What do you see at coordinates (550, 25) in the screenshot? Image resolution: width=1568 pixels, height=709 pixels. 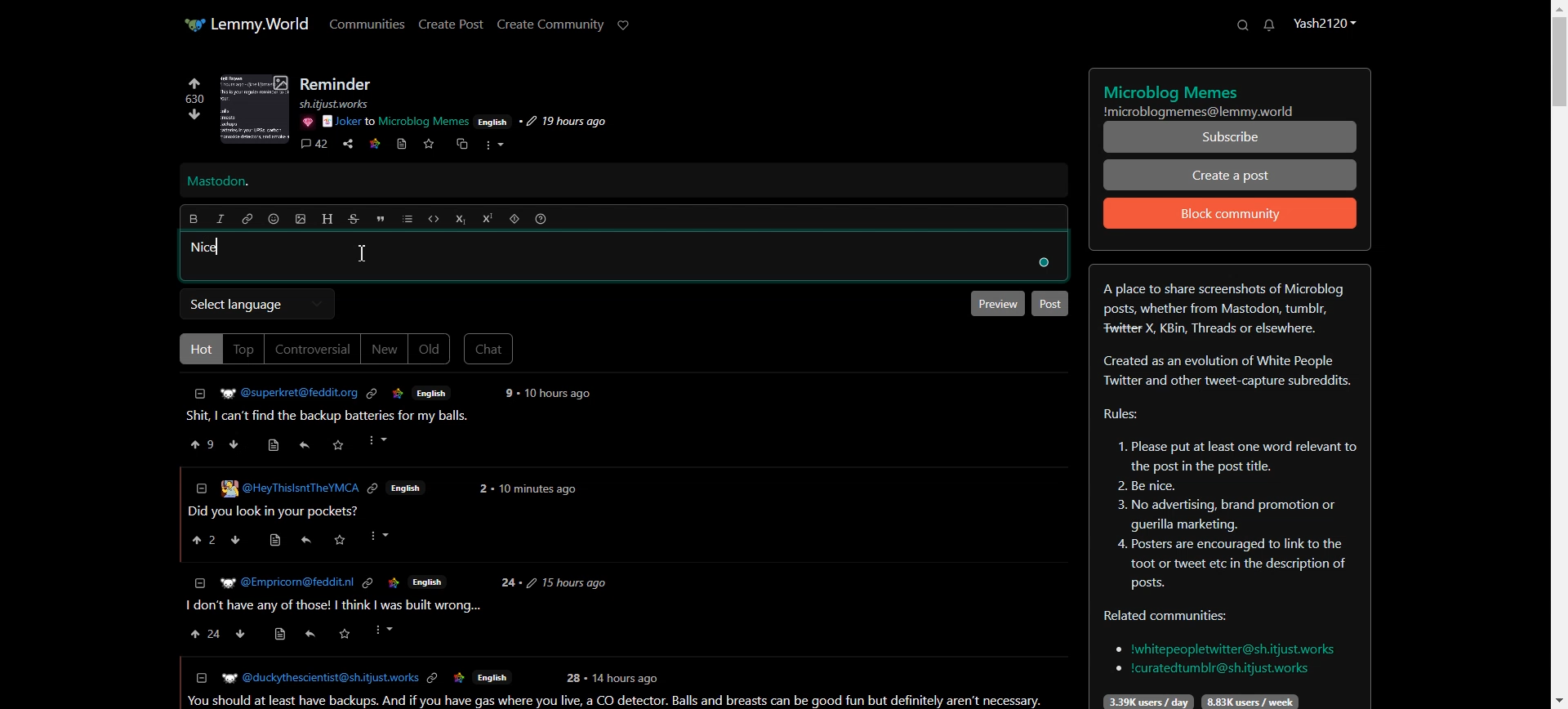 I see `Create Community` at bounding box center [550, 25].